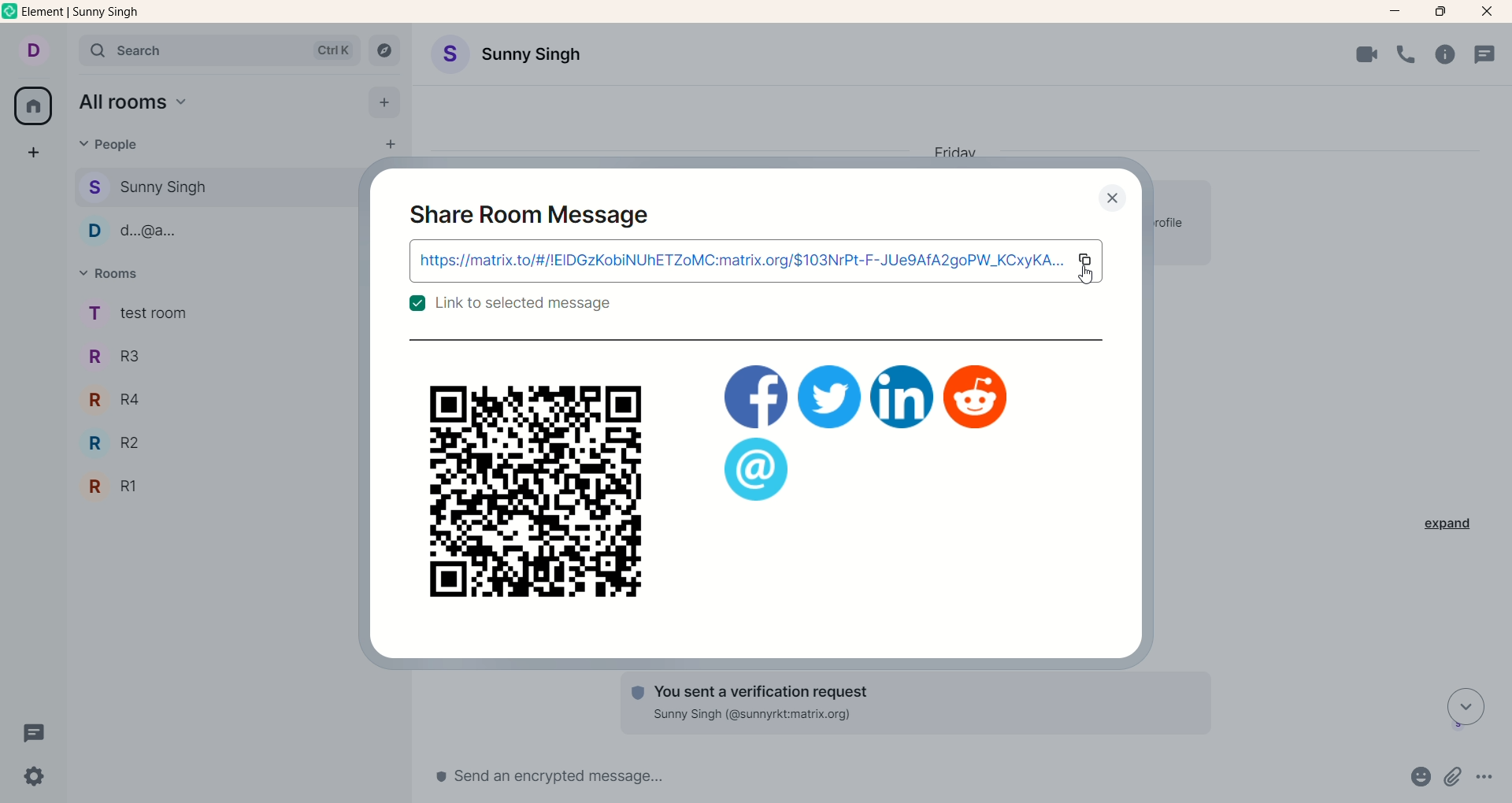 This screenshot has width=1512, height=803. Describe the element at coordinates (537, 220) in the screenshot. I see `share room message` at that location.